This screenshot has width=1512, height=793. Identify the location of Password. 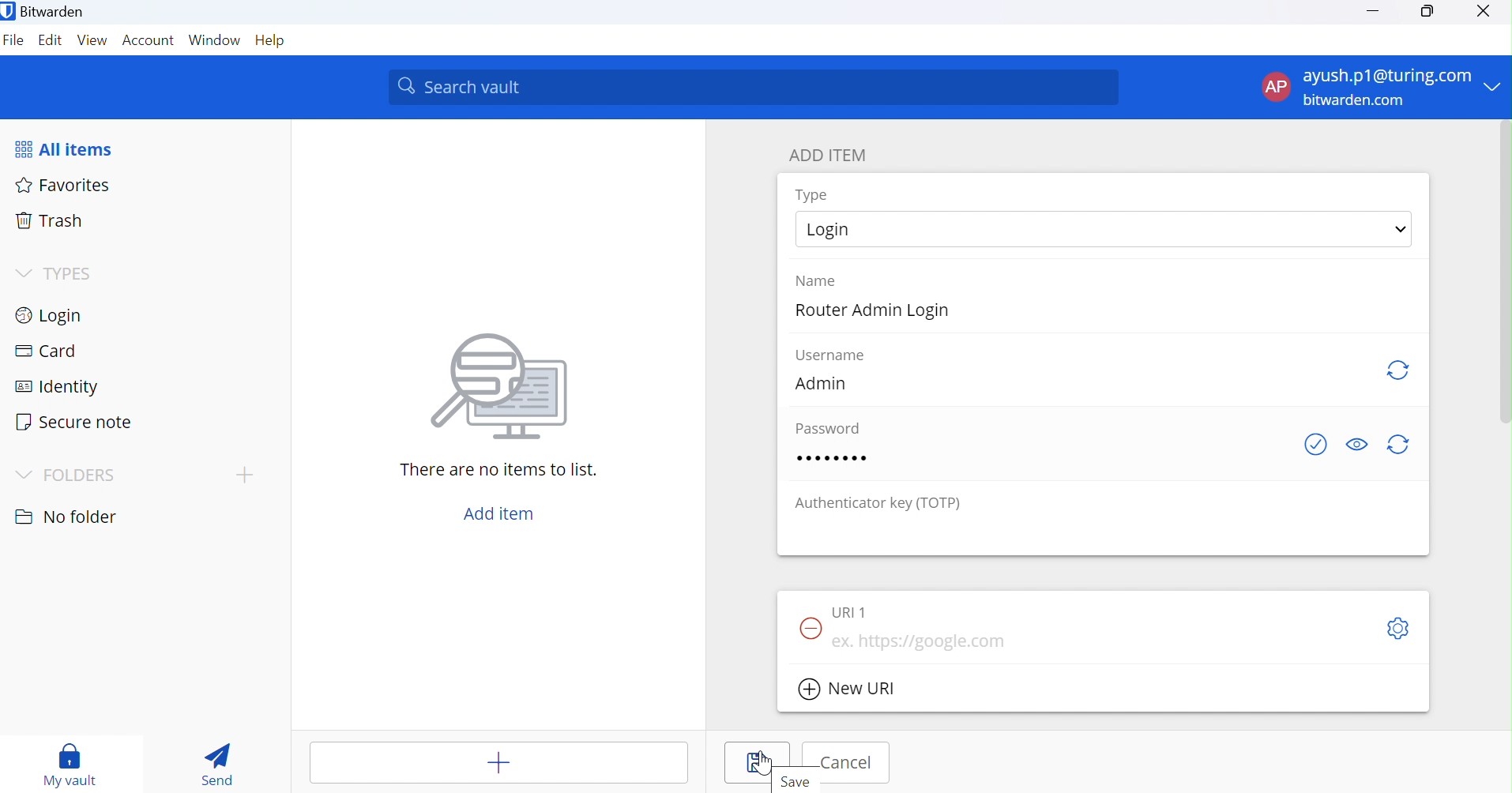
(826, 427).